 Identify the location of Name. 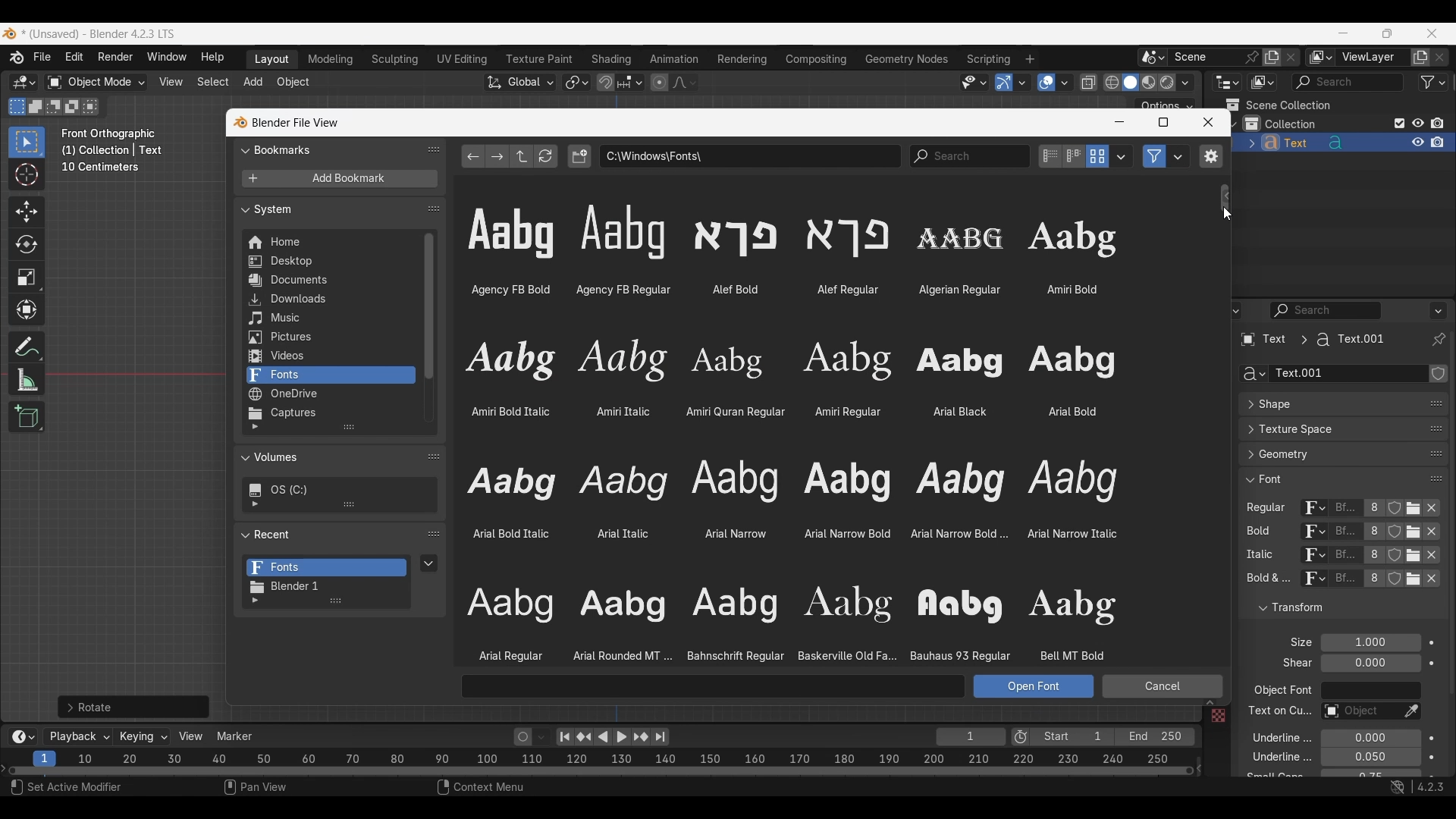
(1348, 374).